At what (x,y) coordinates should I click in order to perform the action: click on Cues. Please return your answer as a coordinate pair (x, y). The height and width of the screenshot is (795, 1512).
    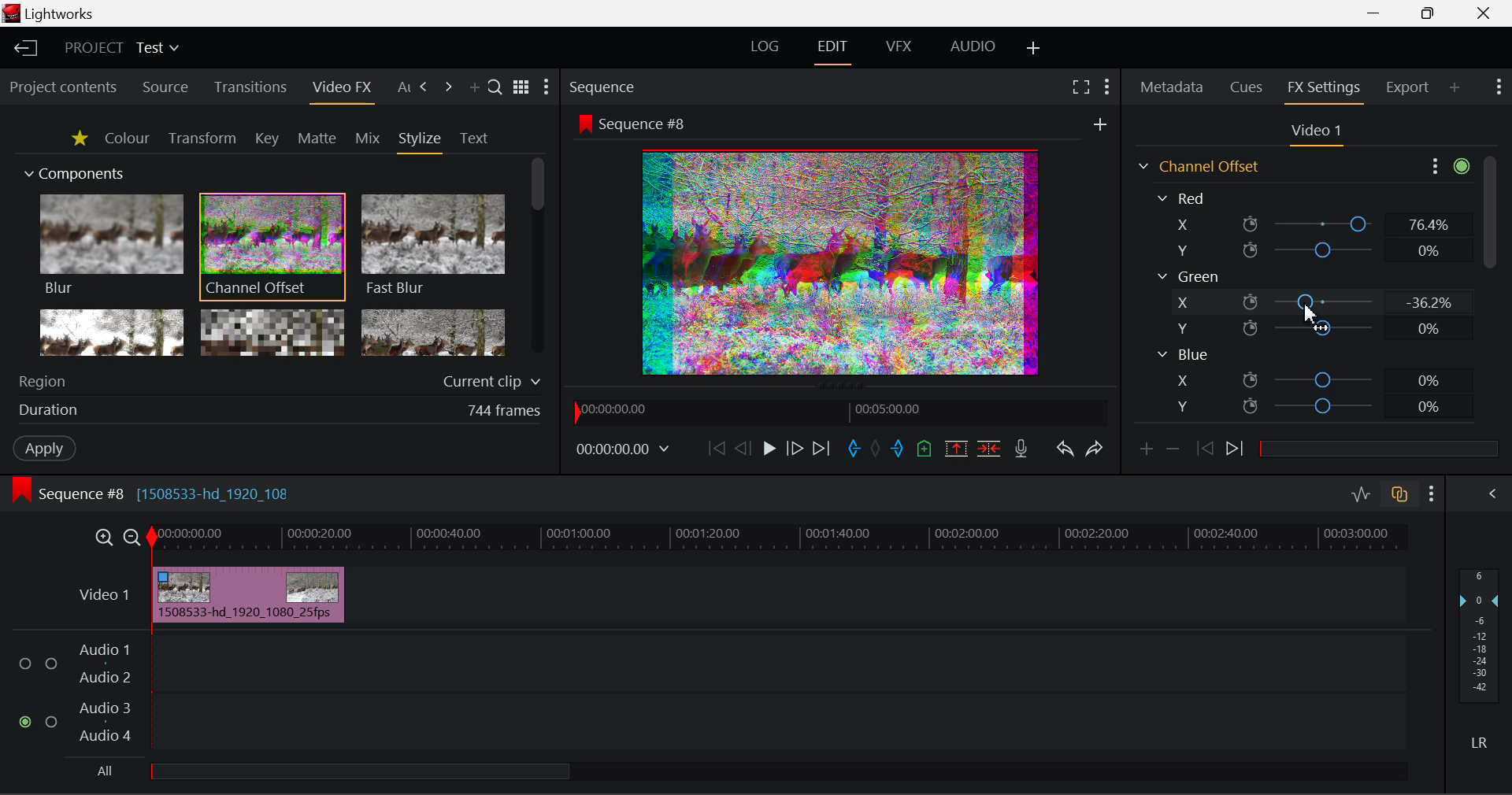
    Looking at the image, I should click on (1246, 87).